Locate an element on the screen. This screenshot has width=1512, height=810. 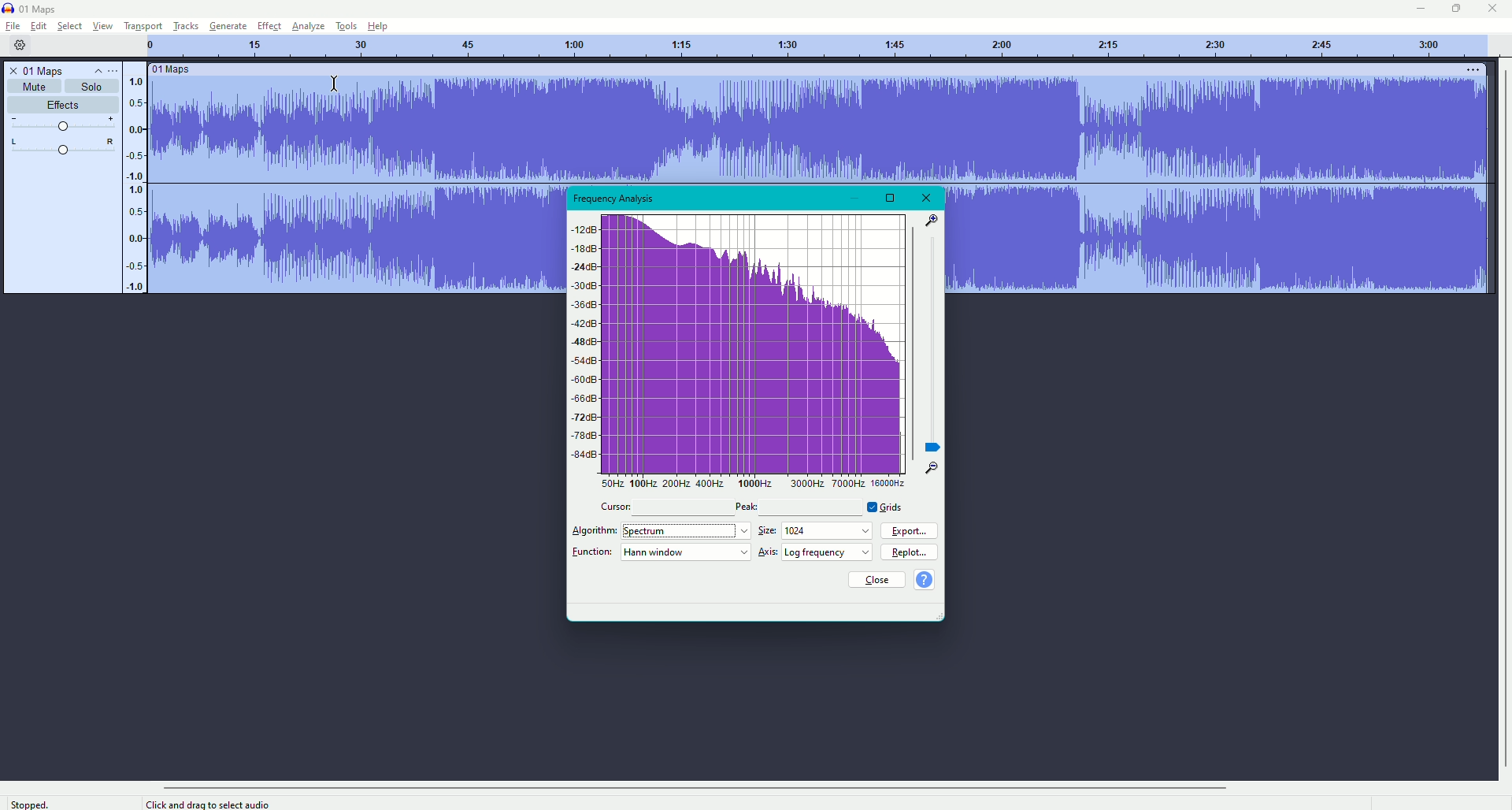
View is located at coordinates (100, 26).